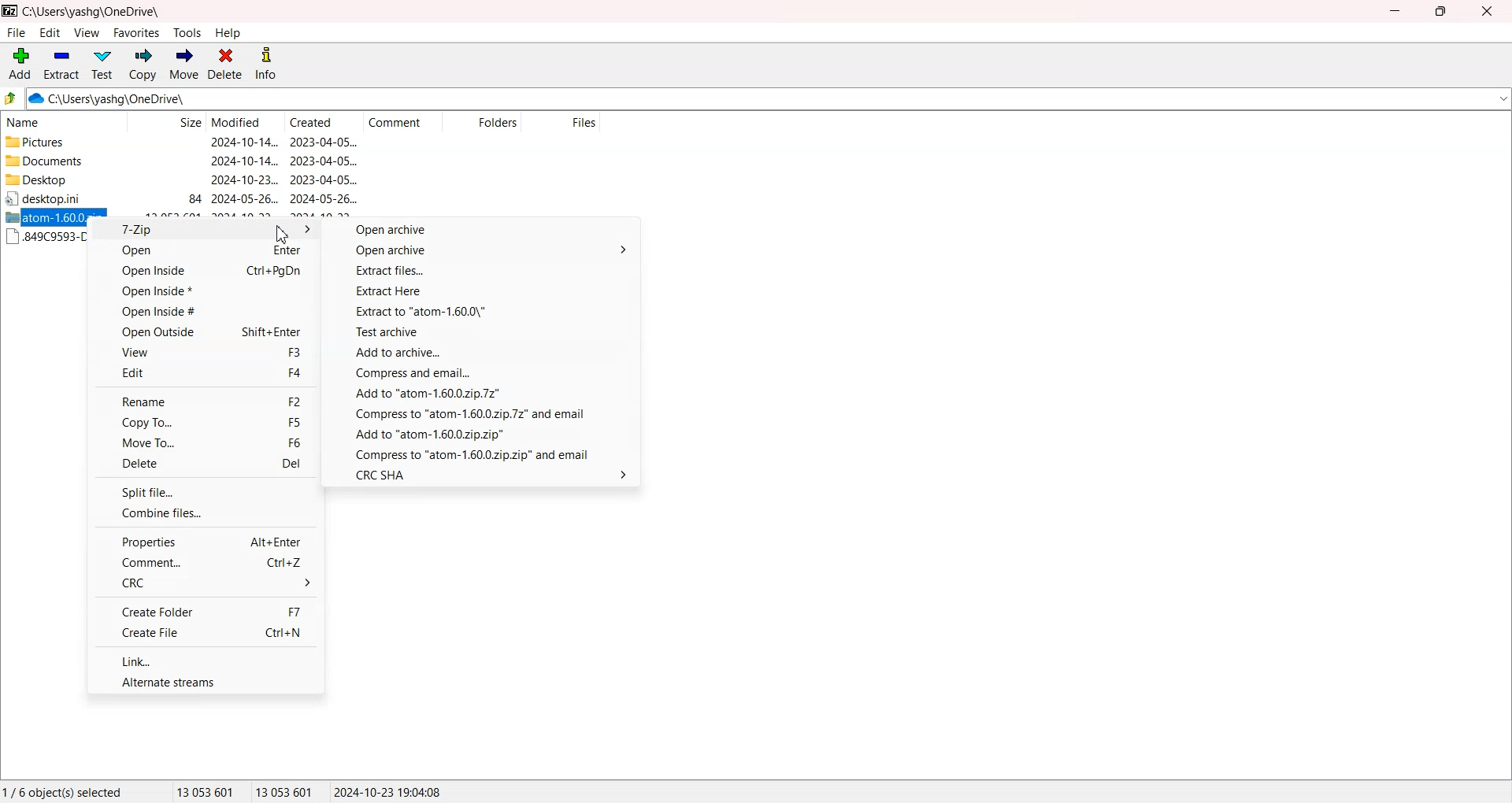 The height and width of the screenshot is (803, 1512). I want to click on Extract files, so click(485, 272).